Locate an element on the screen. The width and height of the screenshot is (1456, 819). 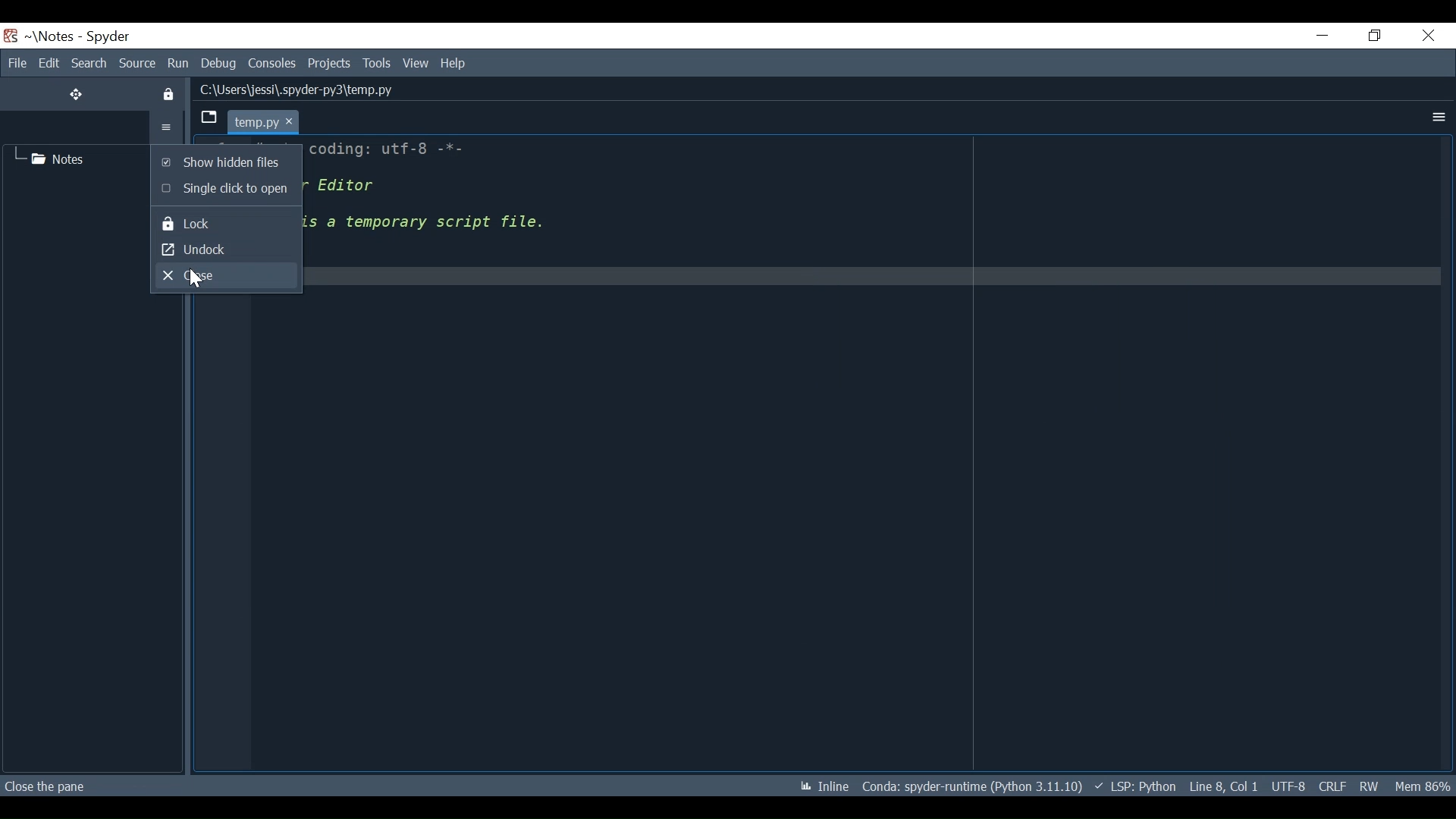
Cursor is located at coordinates (194, 278).